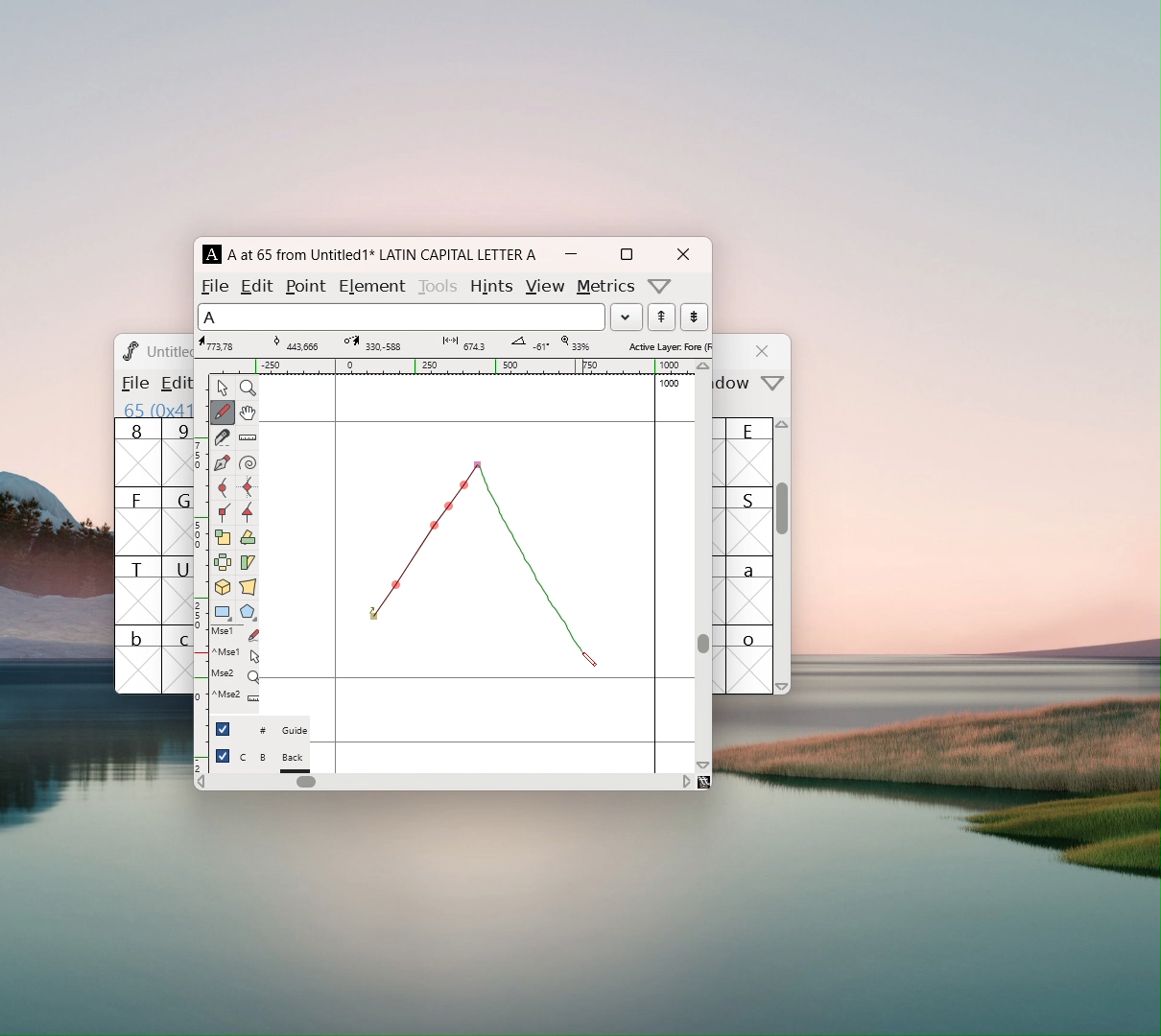 The height and width of the screenshot is (1036, 1161). Describe the element at coordinates (655, 573) in the screenshot. I see `right side bearing` at that location.